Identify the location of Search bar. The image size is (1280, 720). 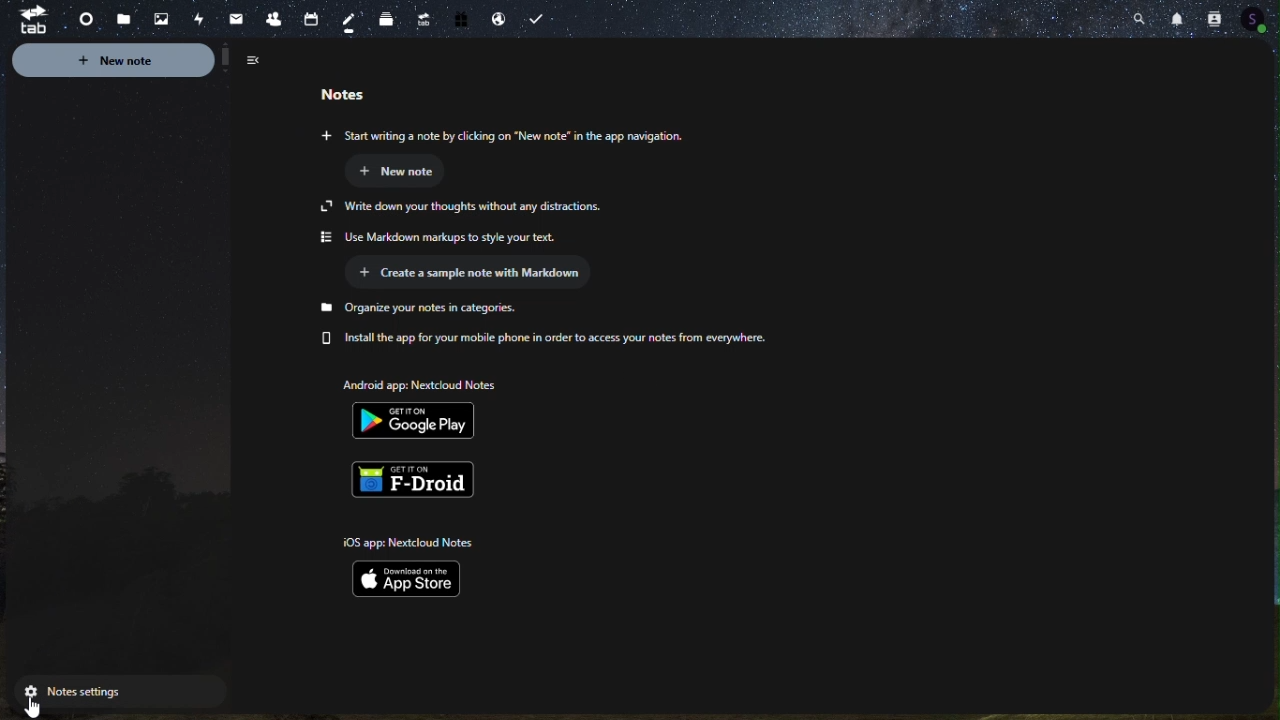
(1138, 16).